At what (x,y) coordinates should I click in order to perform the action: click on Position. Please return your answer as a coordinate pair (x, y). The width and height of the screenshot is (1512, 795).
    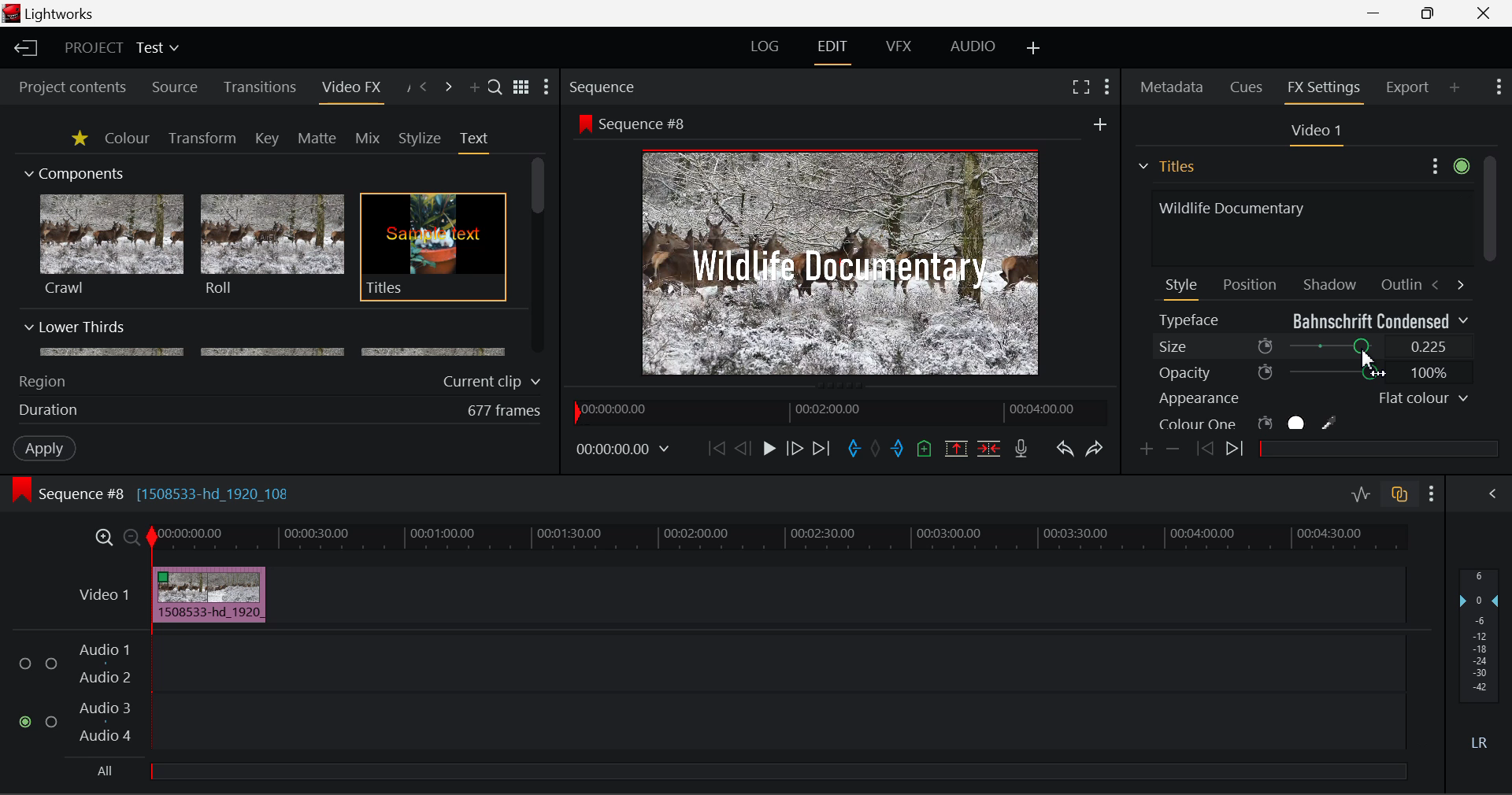
    Looking at the image, I should click on (1252, 283).